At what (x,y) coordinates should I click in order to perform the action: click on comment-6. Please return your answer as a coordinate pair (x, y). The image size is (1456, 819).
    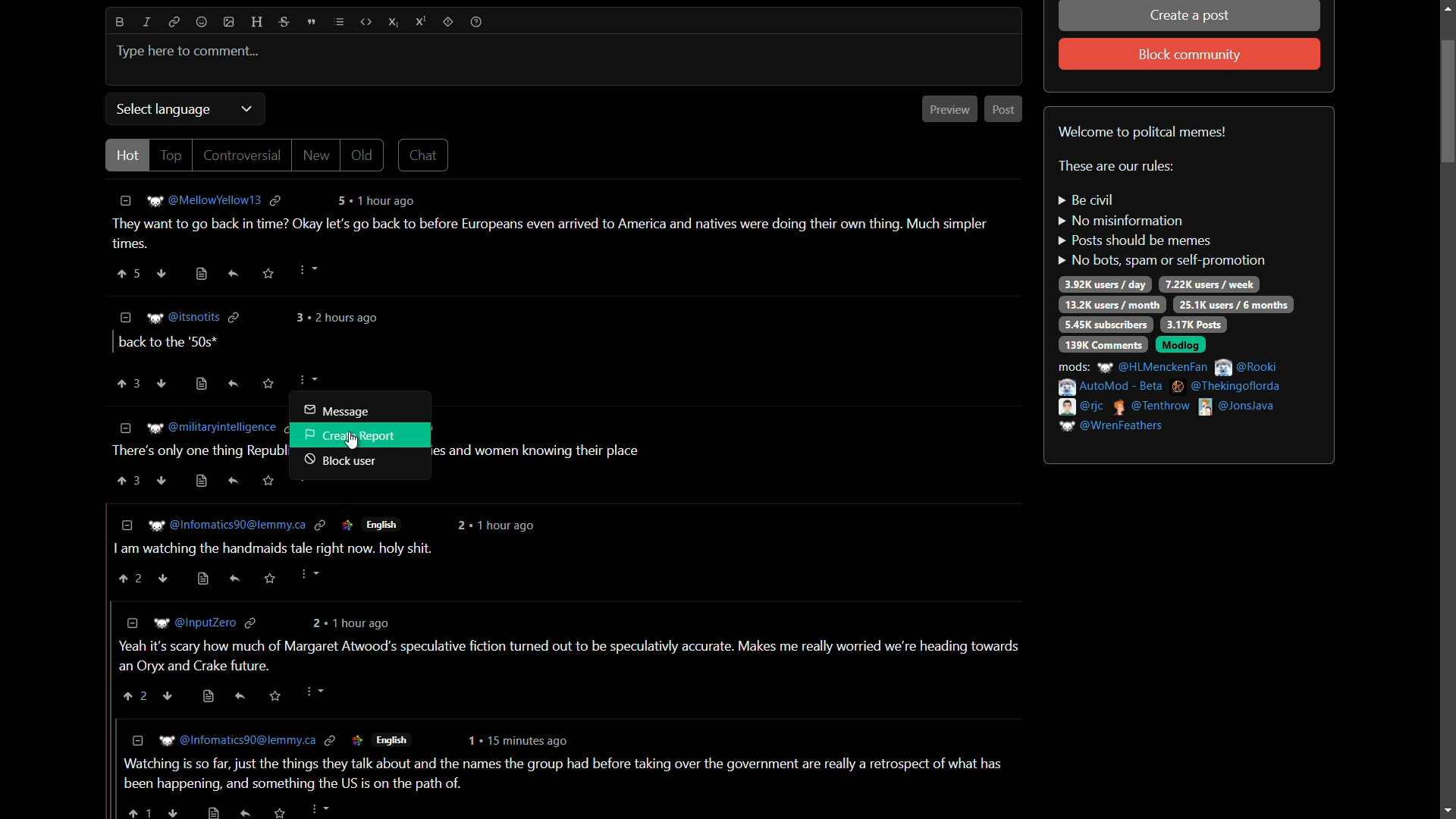
    Looking at the image, I should click on (559, 777).